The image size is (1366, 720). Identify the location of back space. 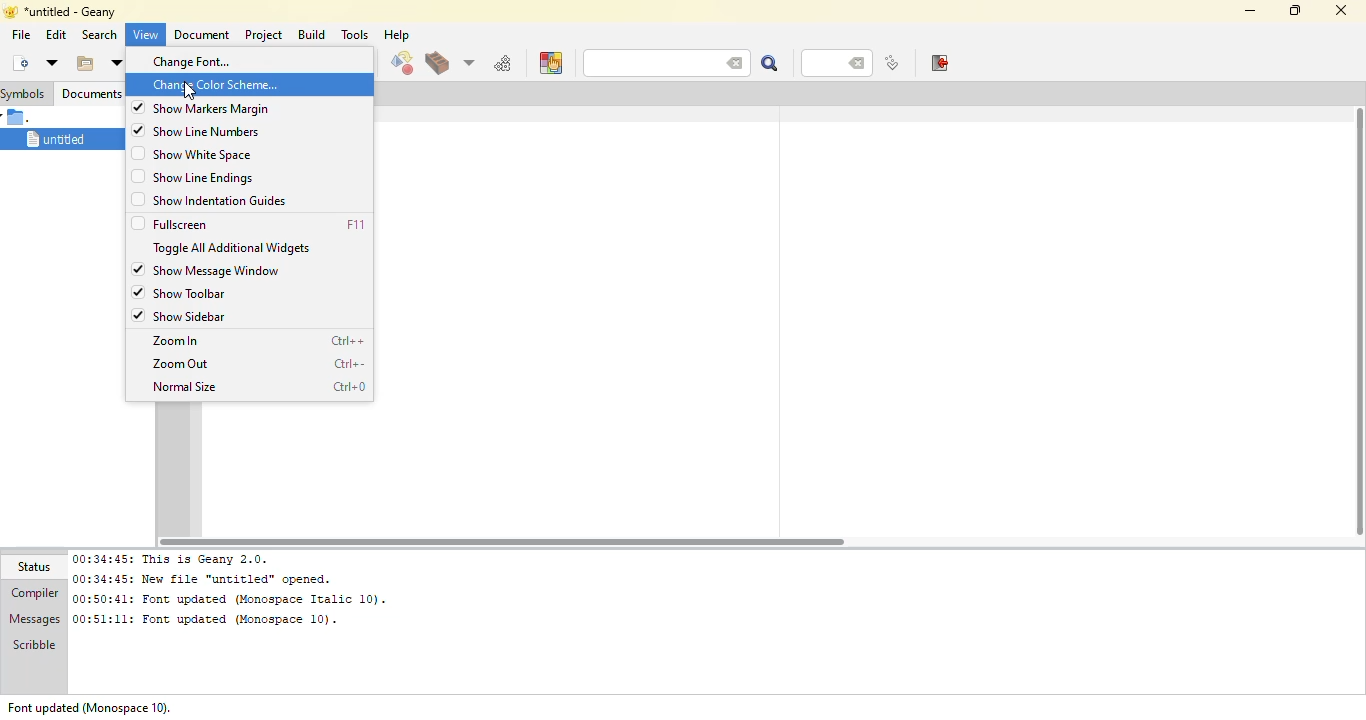
(730, 61).